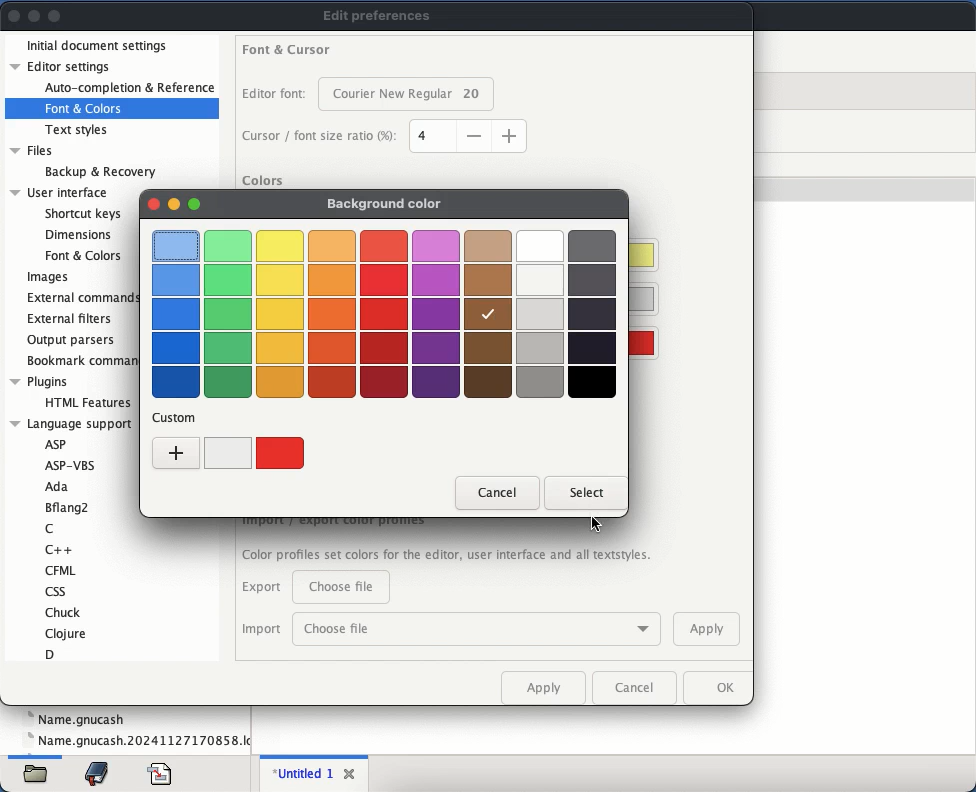 The image size is (976, 792). What do you see at coordinates (83, 363) in the screenshot?
I see `bookmark commands` at bounding box center [83, 363].